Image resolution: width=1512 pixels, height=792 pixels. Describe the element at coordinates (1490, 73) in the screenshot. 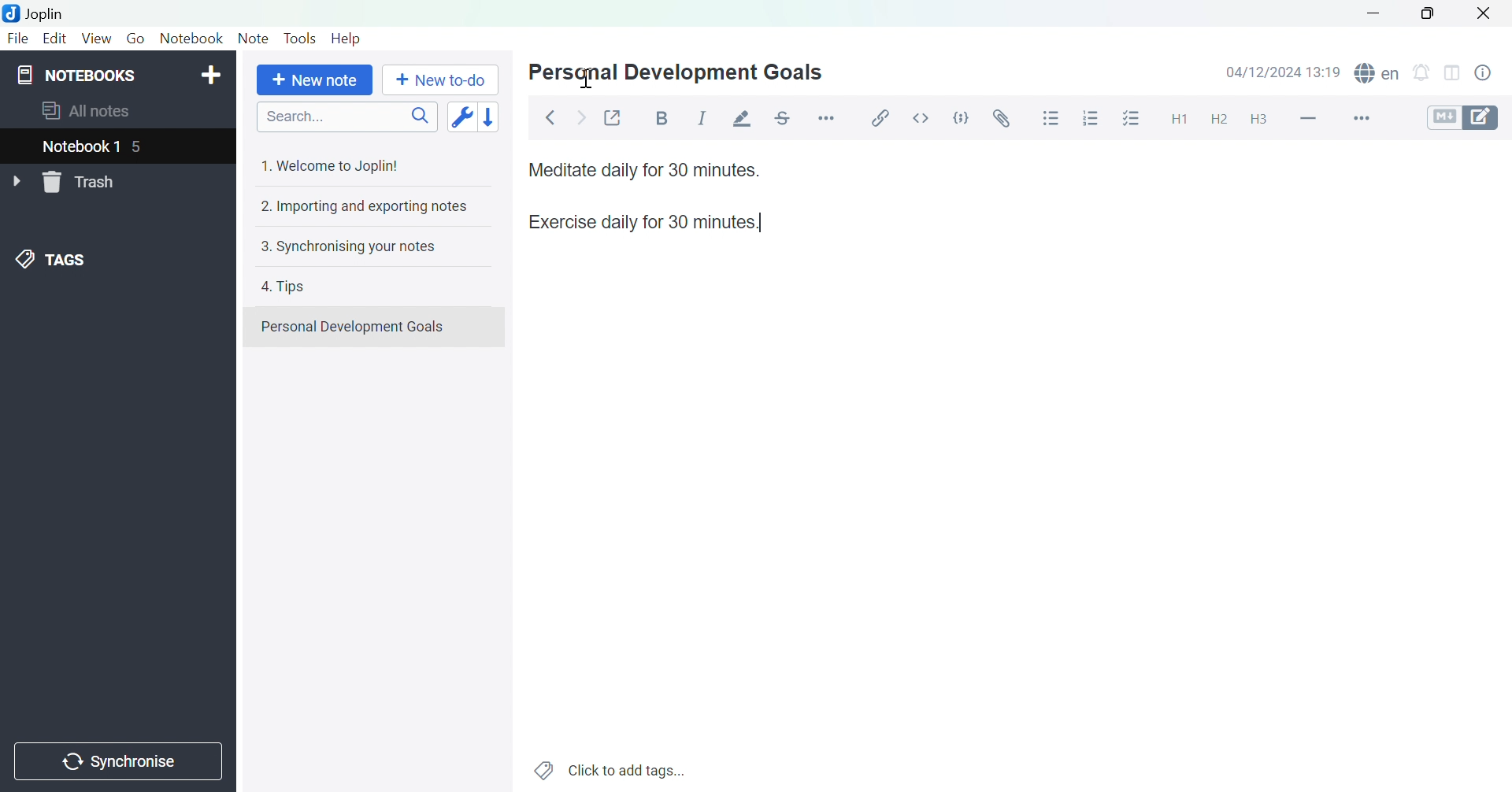

I see `Note properties` at that location.